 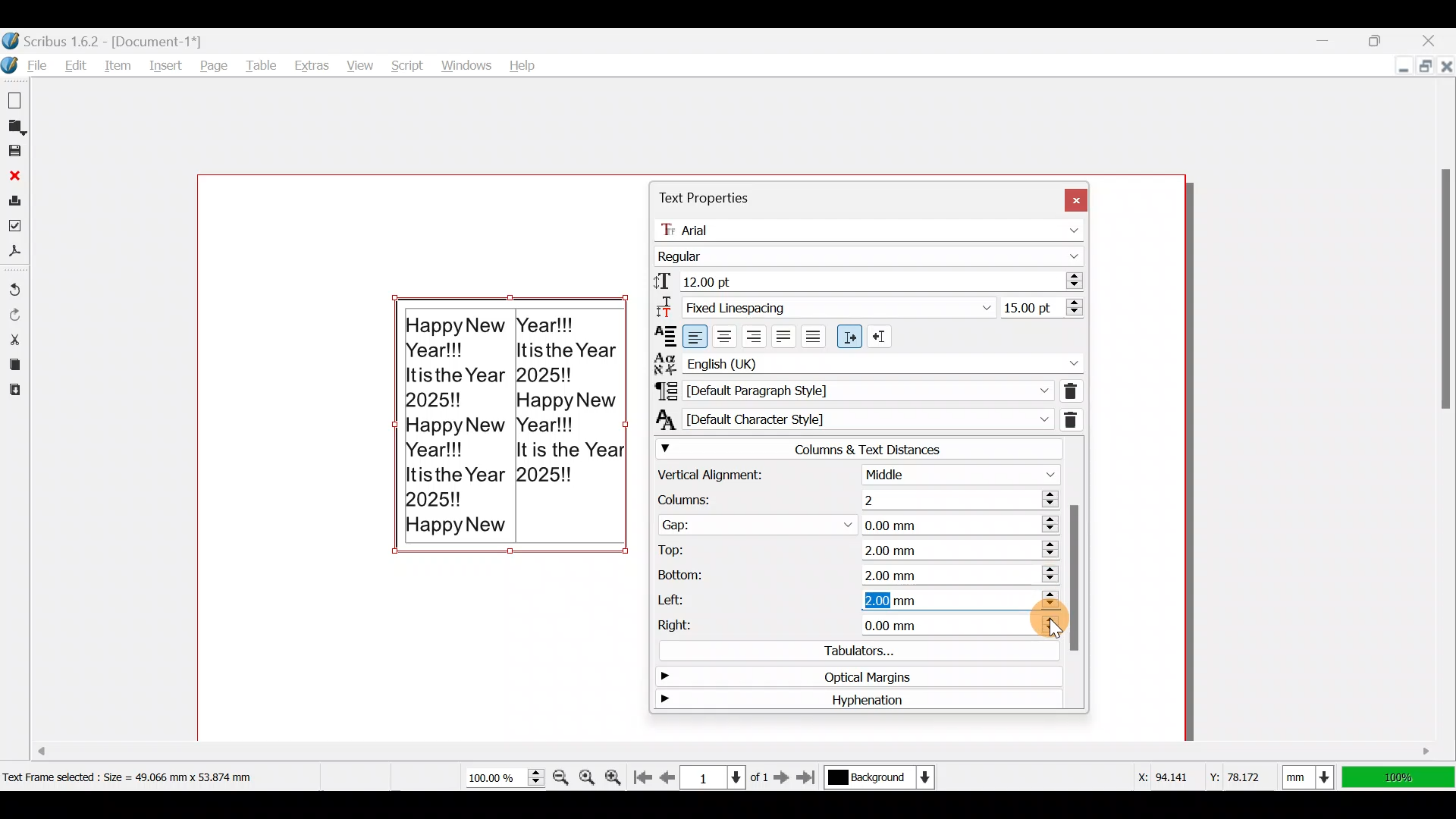 What do you see at coordinates (504, 778) in the screenshot?
I see `Current zoom level` at bounding box center [504, 778].